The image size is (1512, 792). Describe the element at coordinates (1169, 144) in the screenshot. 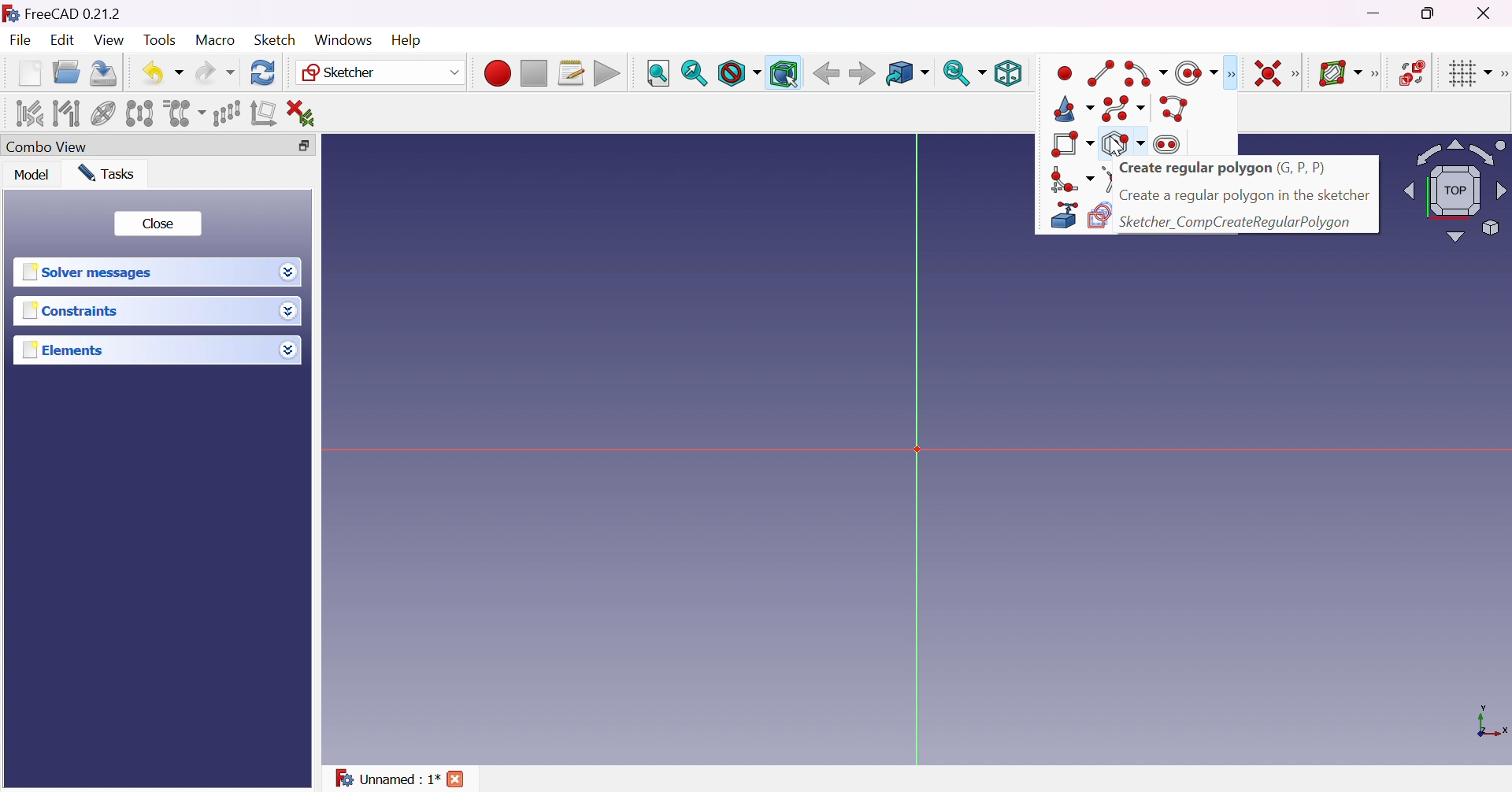

I see `Create slot` at that location.